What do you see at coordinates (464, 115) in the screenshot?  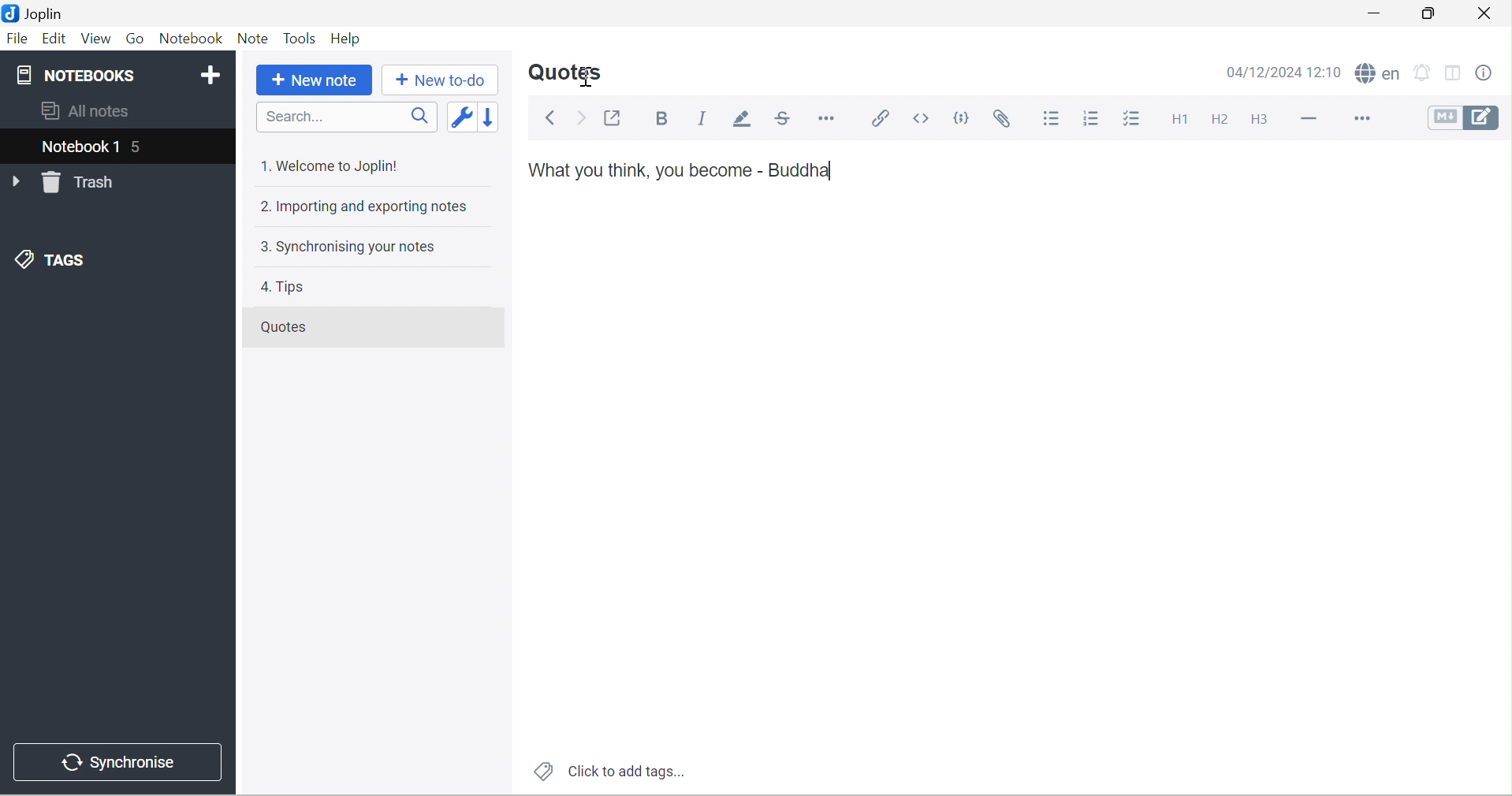 I see `Toggle sort order field` at bounding box center [464, 115].